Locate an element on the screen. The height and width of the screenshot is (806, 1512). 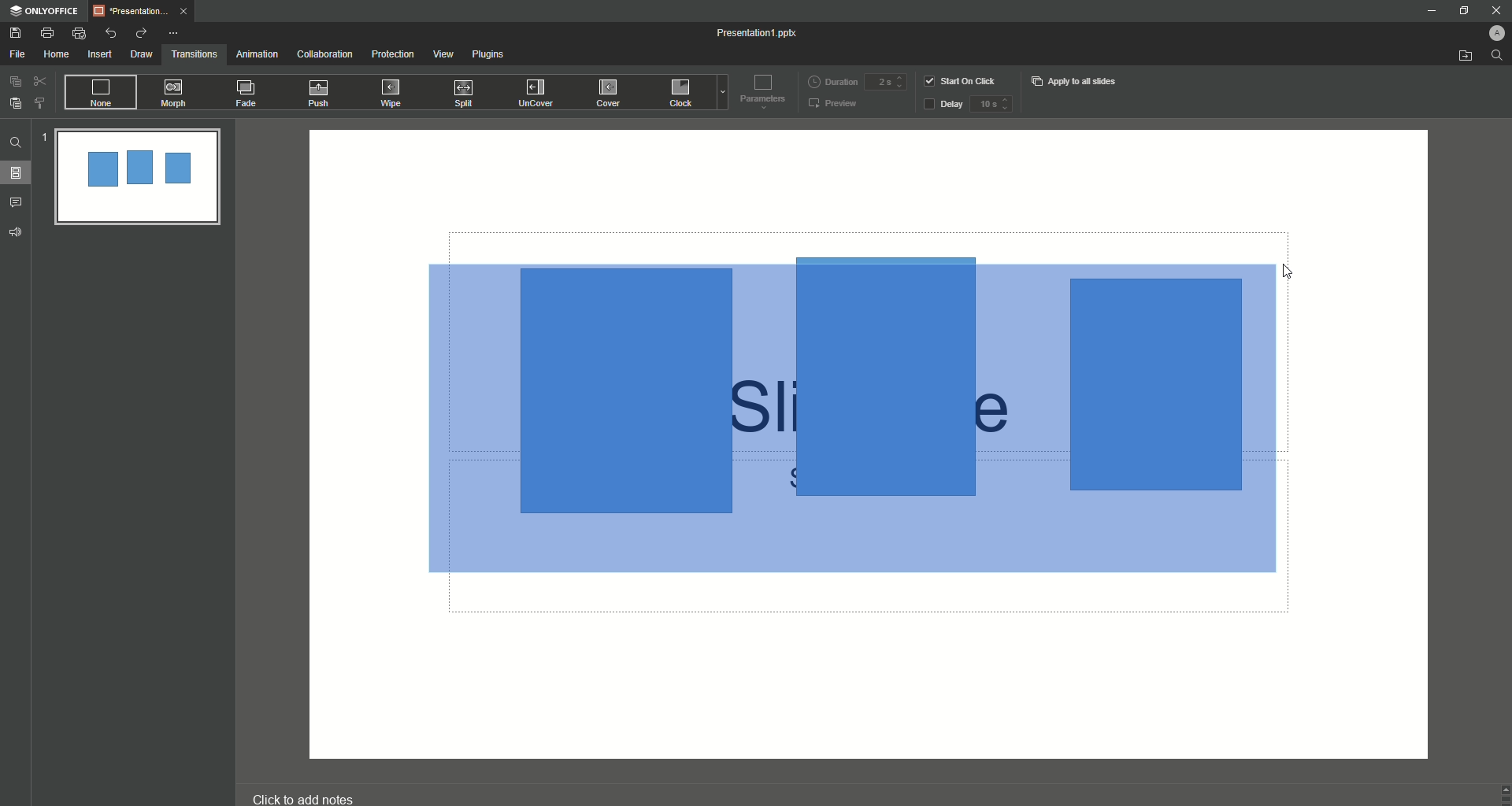
ONLYOFFICE is located at coordinates (44, 11).